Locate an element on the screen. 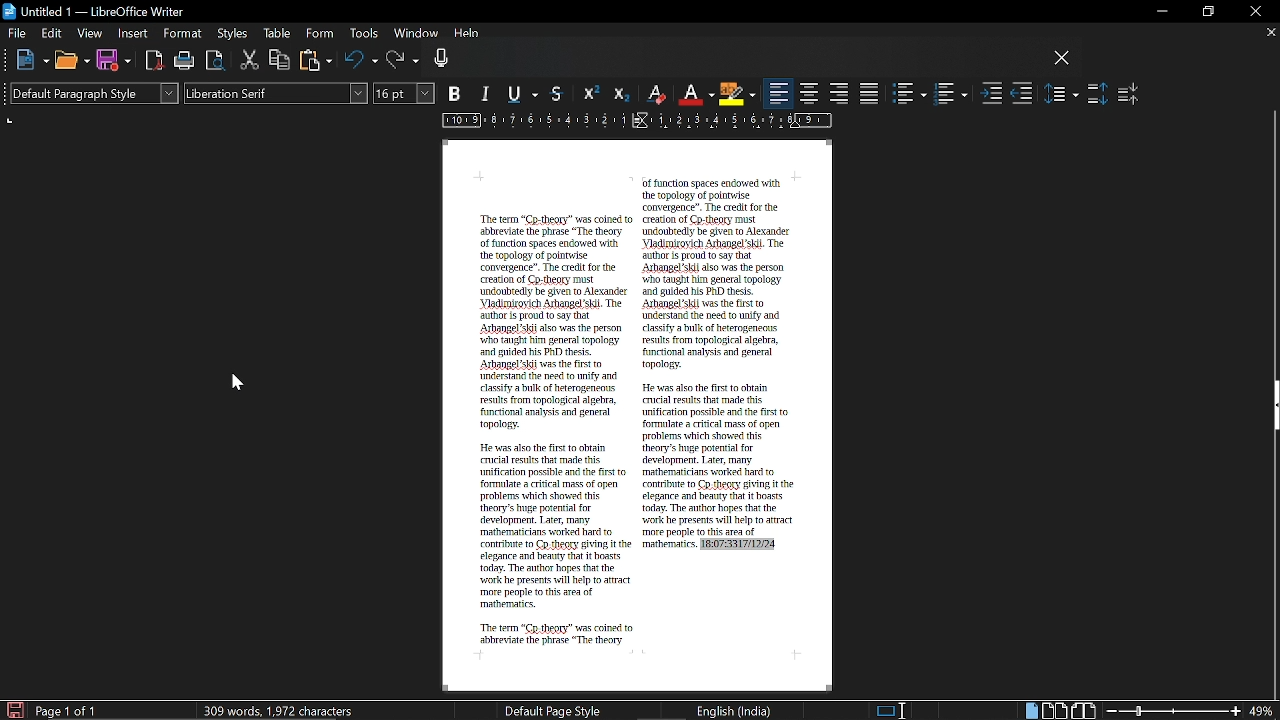 Image resolution: width=1280 pixels, height=720 pixels. Increase paragraph spacing is located at coordinates (1097, 94).